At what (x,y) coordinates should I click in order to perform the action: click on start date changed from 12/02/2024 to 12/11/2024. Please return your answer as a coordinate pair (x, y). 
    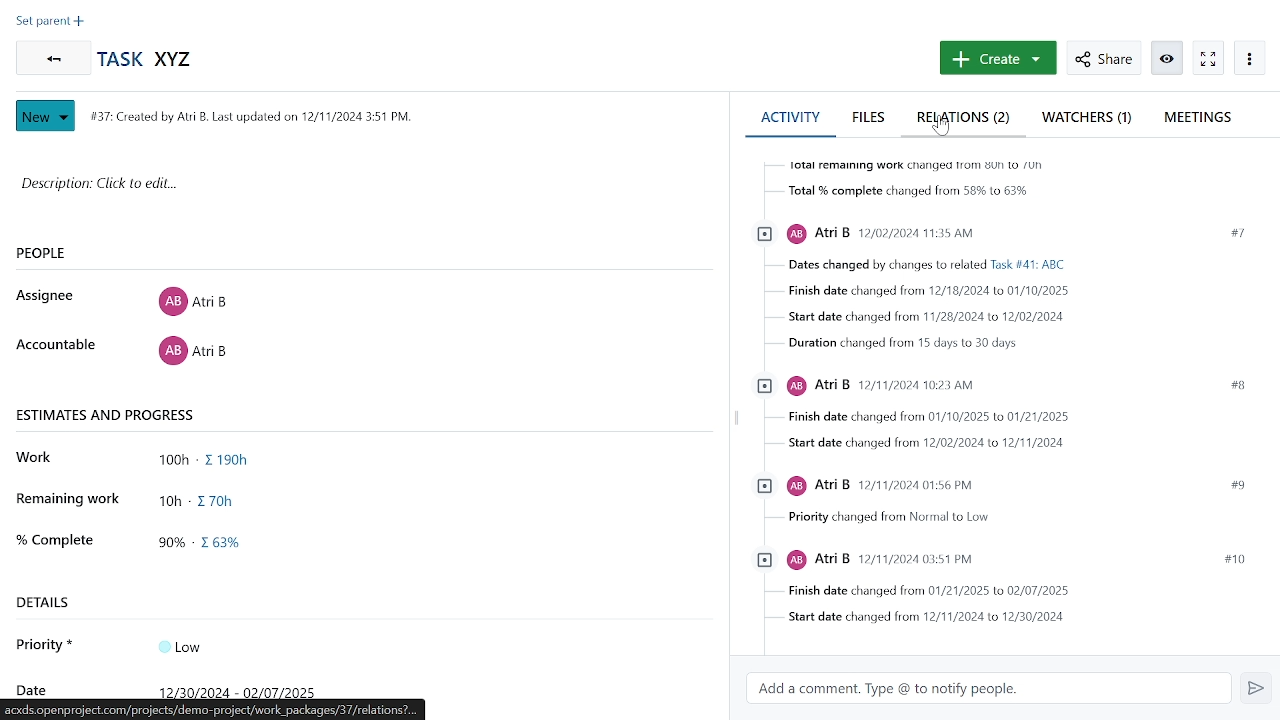
    Looking at the image, I should click on (918, 443).